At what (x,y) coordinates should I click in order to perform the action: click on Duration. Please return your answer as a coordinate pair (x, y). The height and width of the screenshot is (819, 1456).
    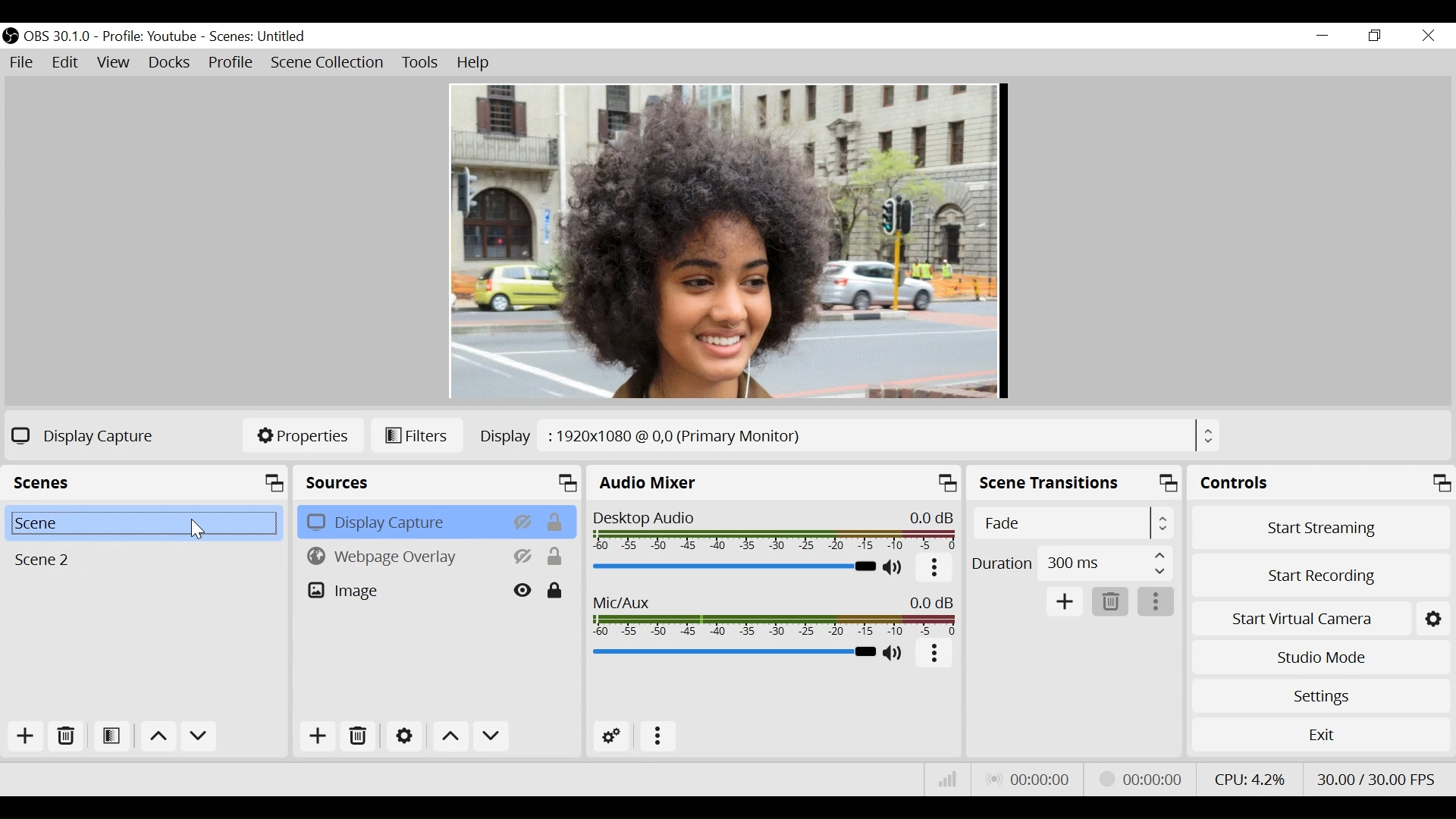
    Looking at the image, I should click on (1073, 563).